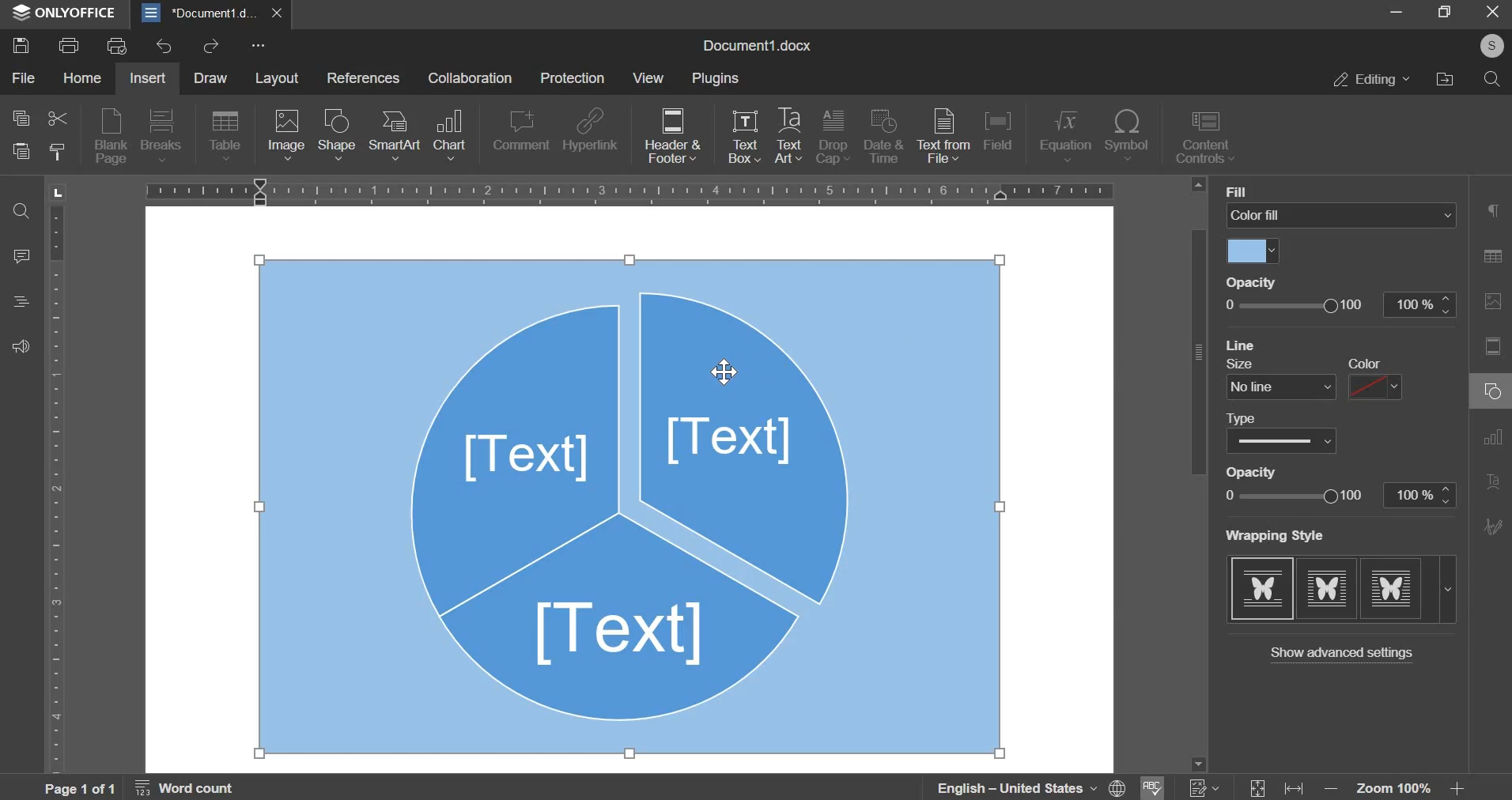 This screenshot has height=800, width=1512. I want to click on references, so click(367, 80).